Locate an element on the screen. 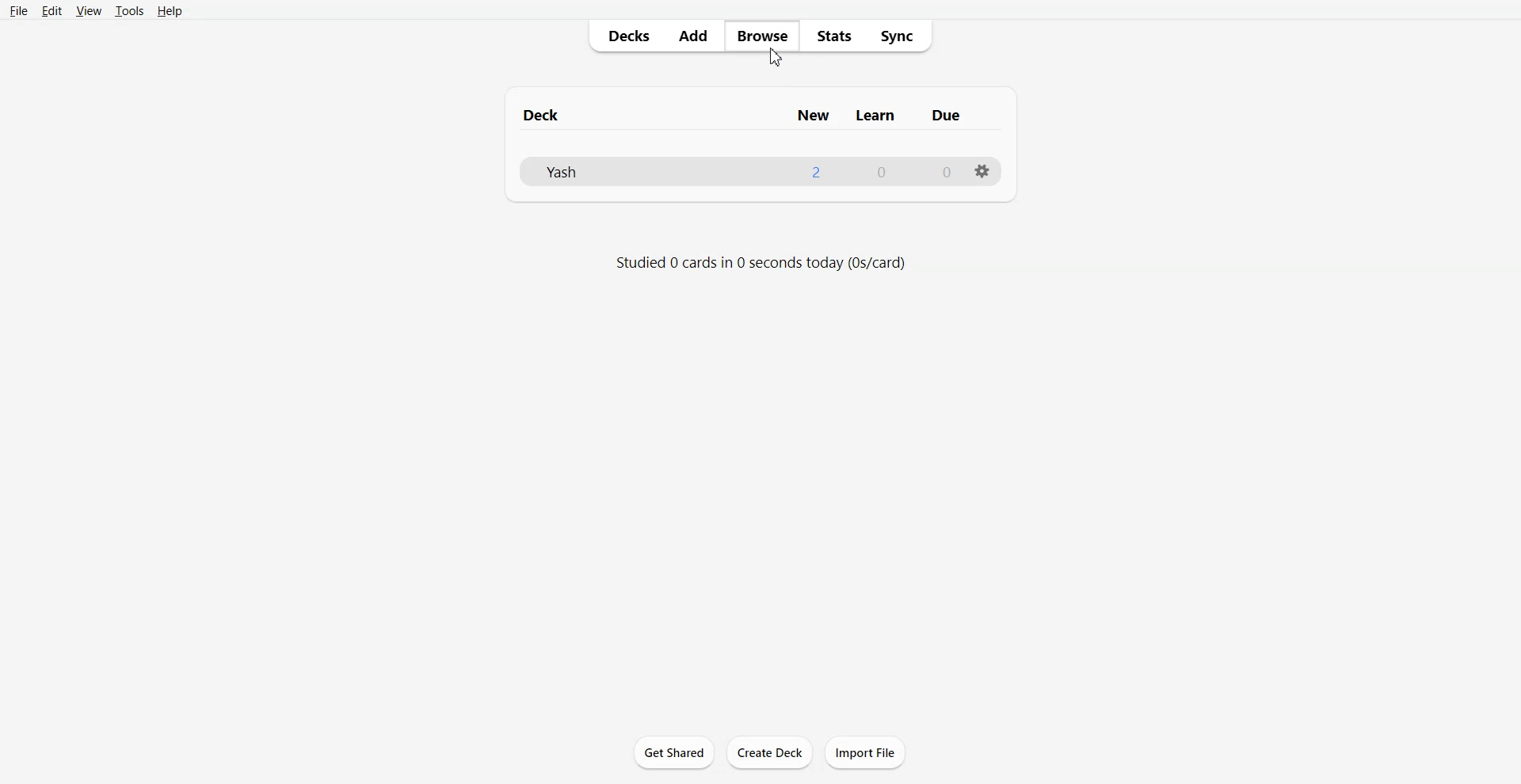 The height and width of the screenshot is (784, 1521). Deck is located at coordinates (547, 116).